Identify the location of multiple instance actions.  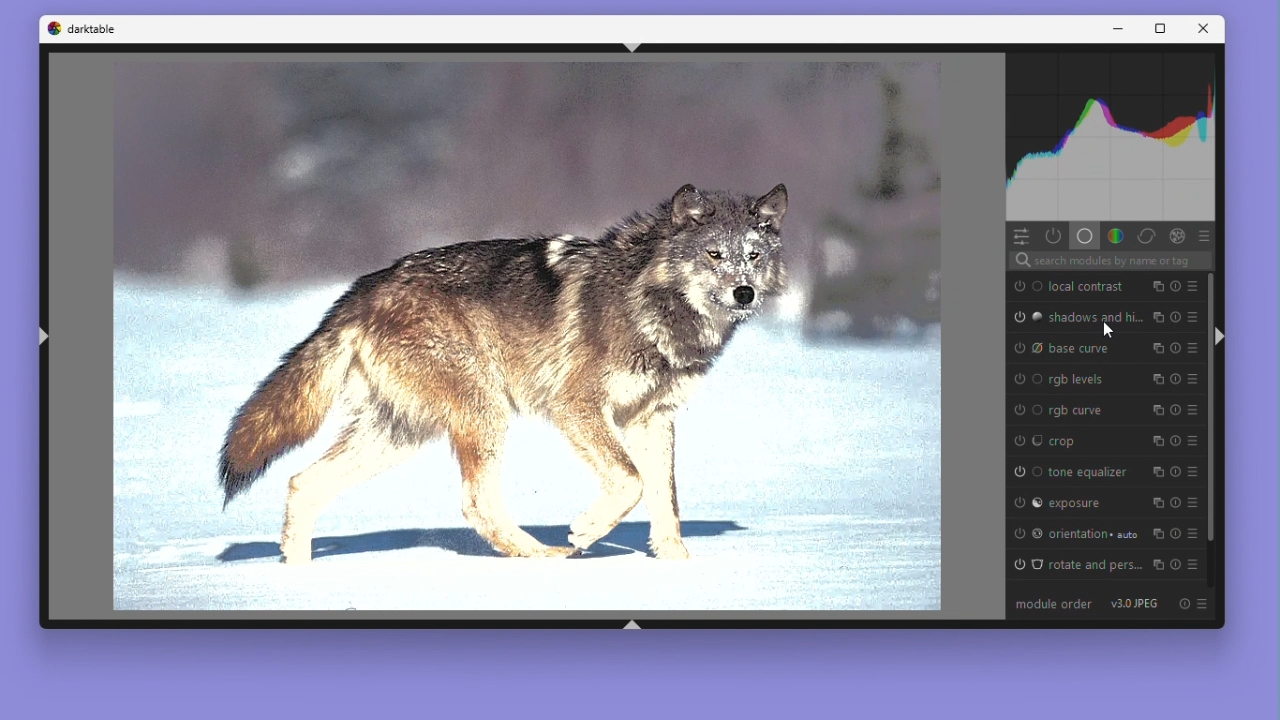
(1157, 287).